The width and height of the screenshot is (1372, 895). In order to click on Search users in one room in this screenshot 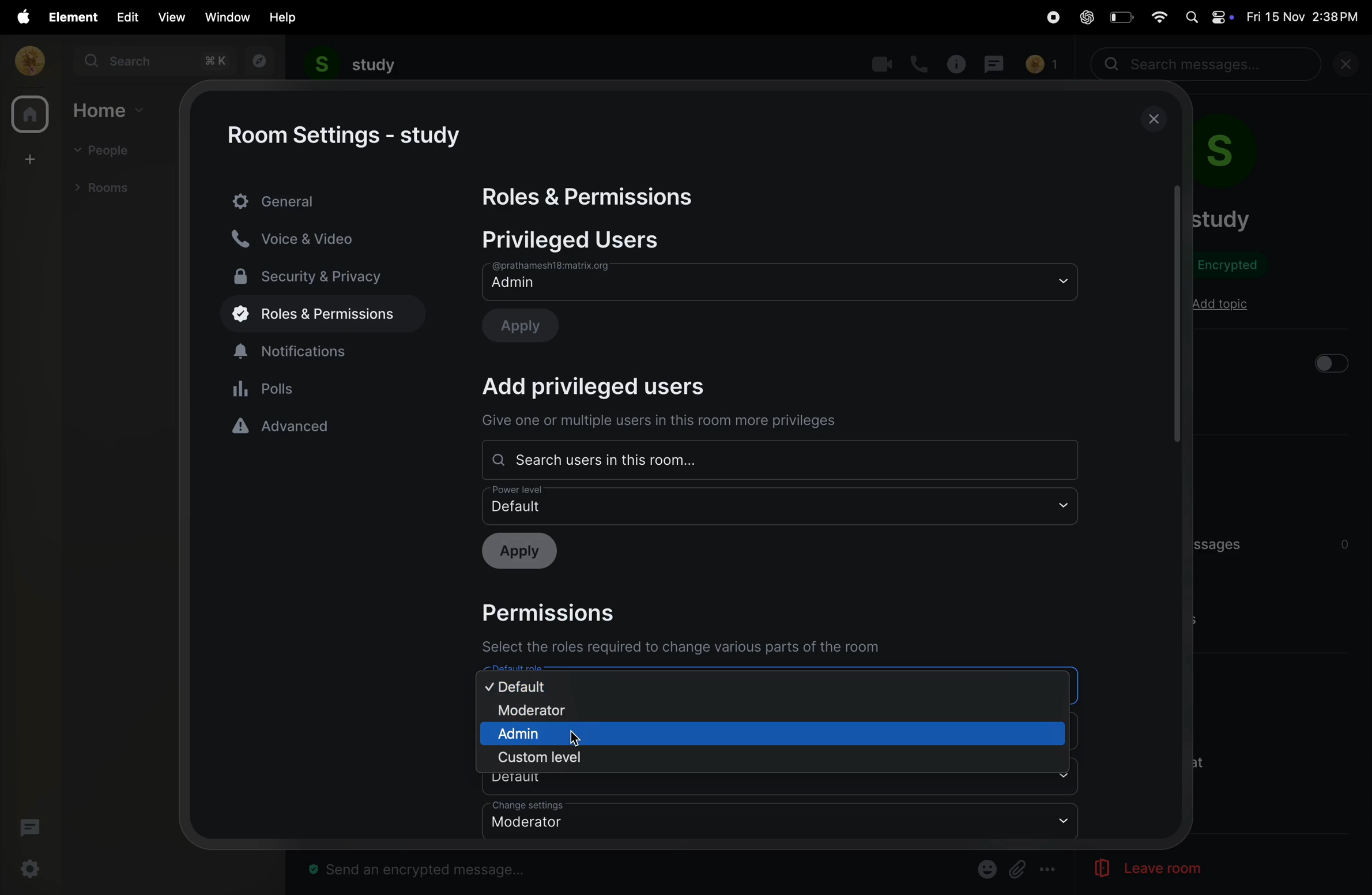, I will do `click(777, 460)`.